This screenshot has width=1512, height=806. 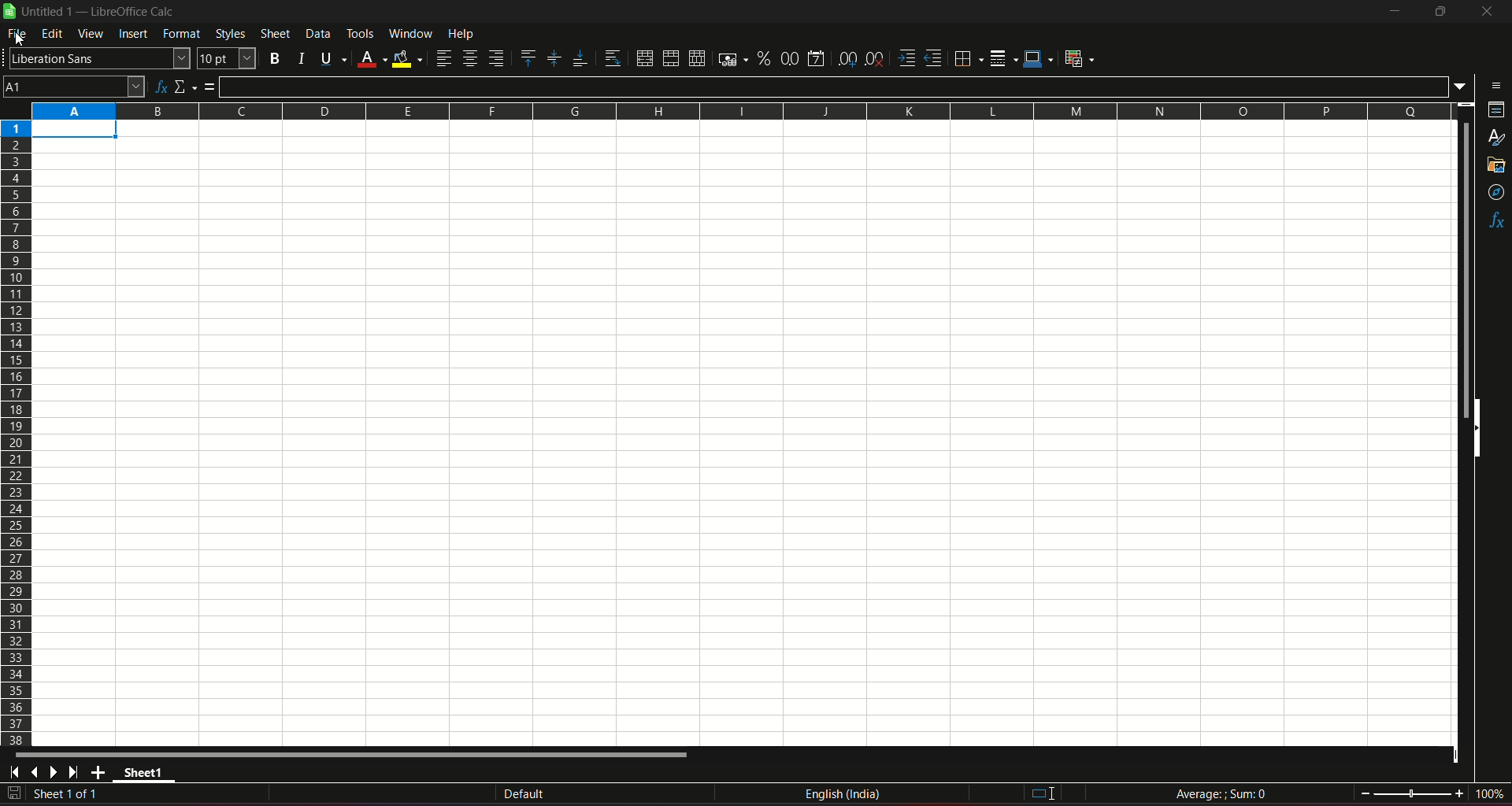 I want to click on sheet name, so click(x=146, y=775).